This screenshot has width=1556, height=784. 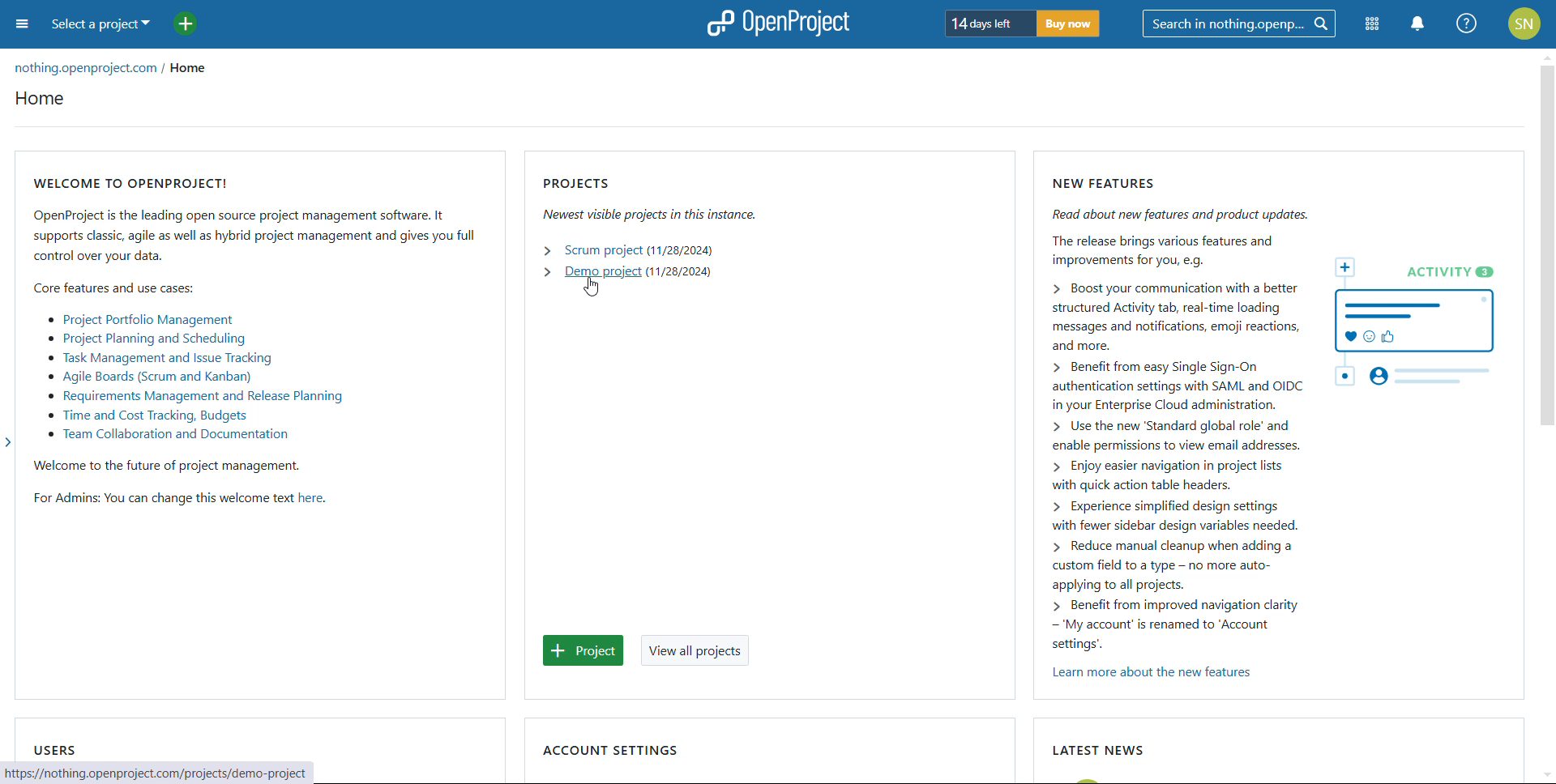 What do you see at coordinates (148, 377) in the screenshot?
I see `agile boards (scrums & kanban)` at bounding box center [148, 377].